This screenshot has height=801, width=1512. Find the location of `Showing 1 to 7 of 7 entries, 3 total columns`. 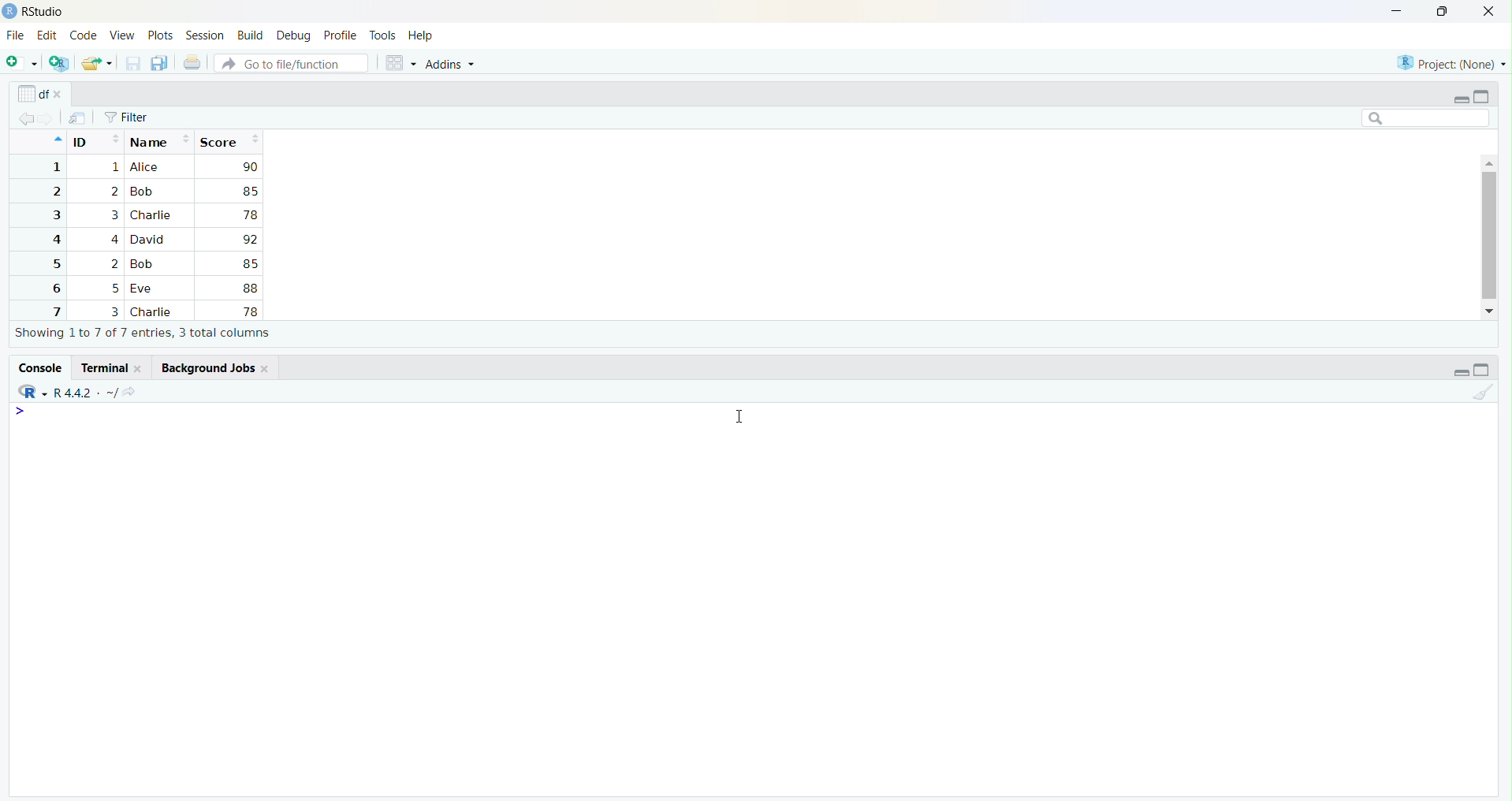

Showing 1 to 7 of 7 entries, 3 total columns is located at coordinates (143, 333).